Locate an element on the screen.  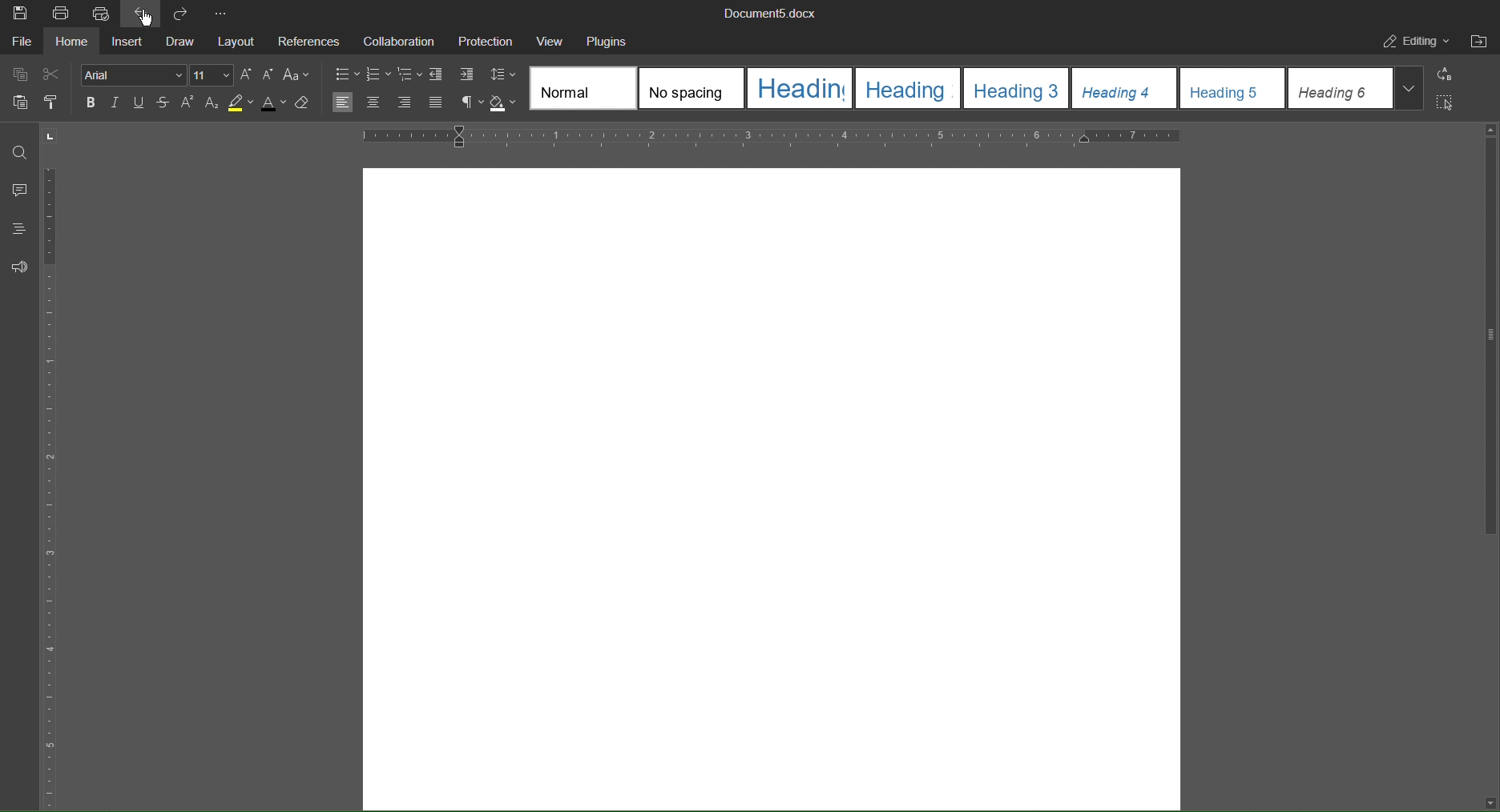
More templates is located at coordinates (1409, 87).